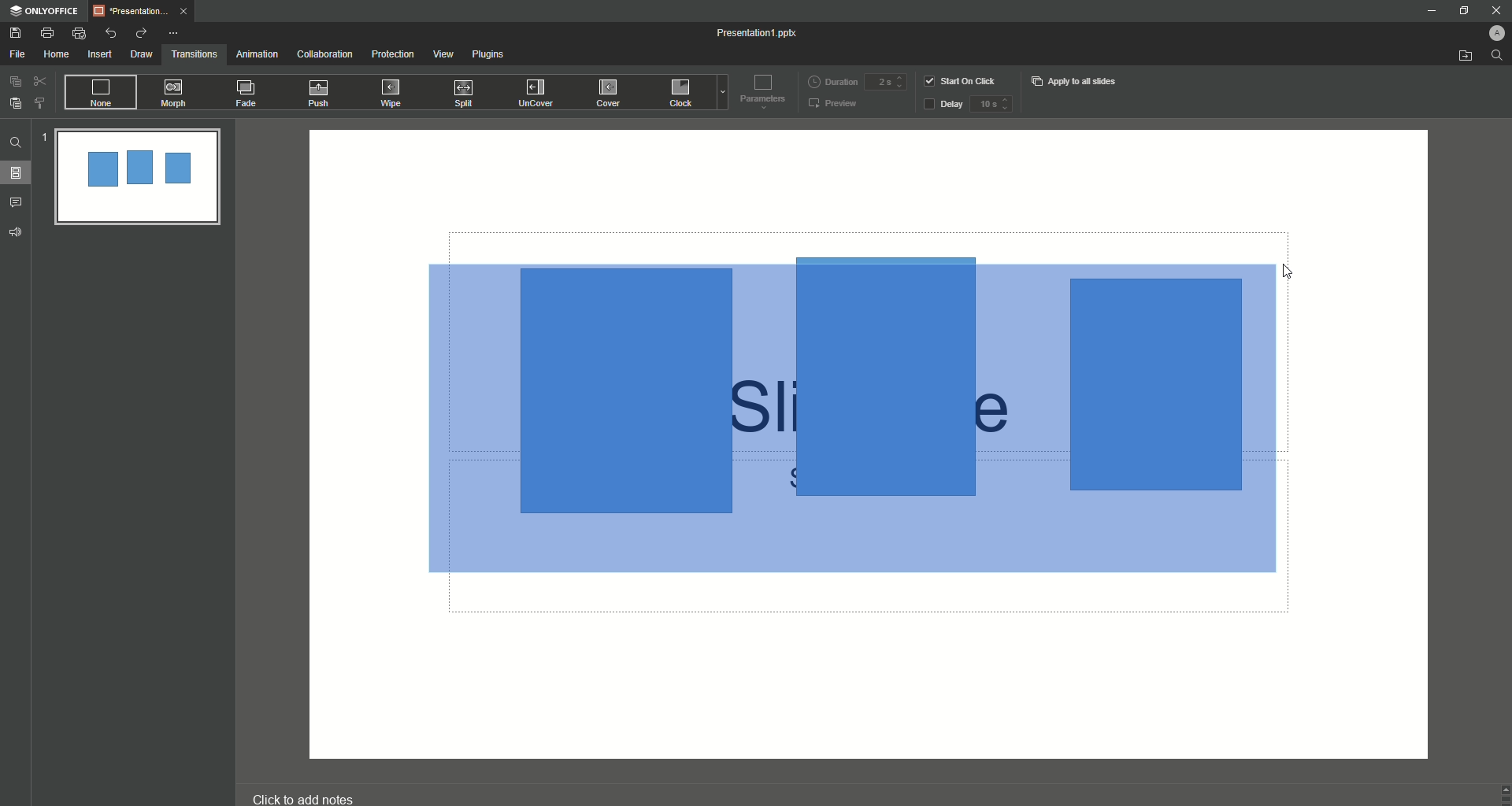 Image resolution: width=1512 pixels, height=806 pixels. I want to click on None, so click(99, 93).